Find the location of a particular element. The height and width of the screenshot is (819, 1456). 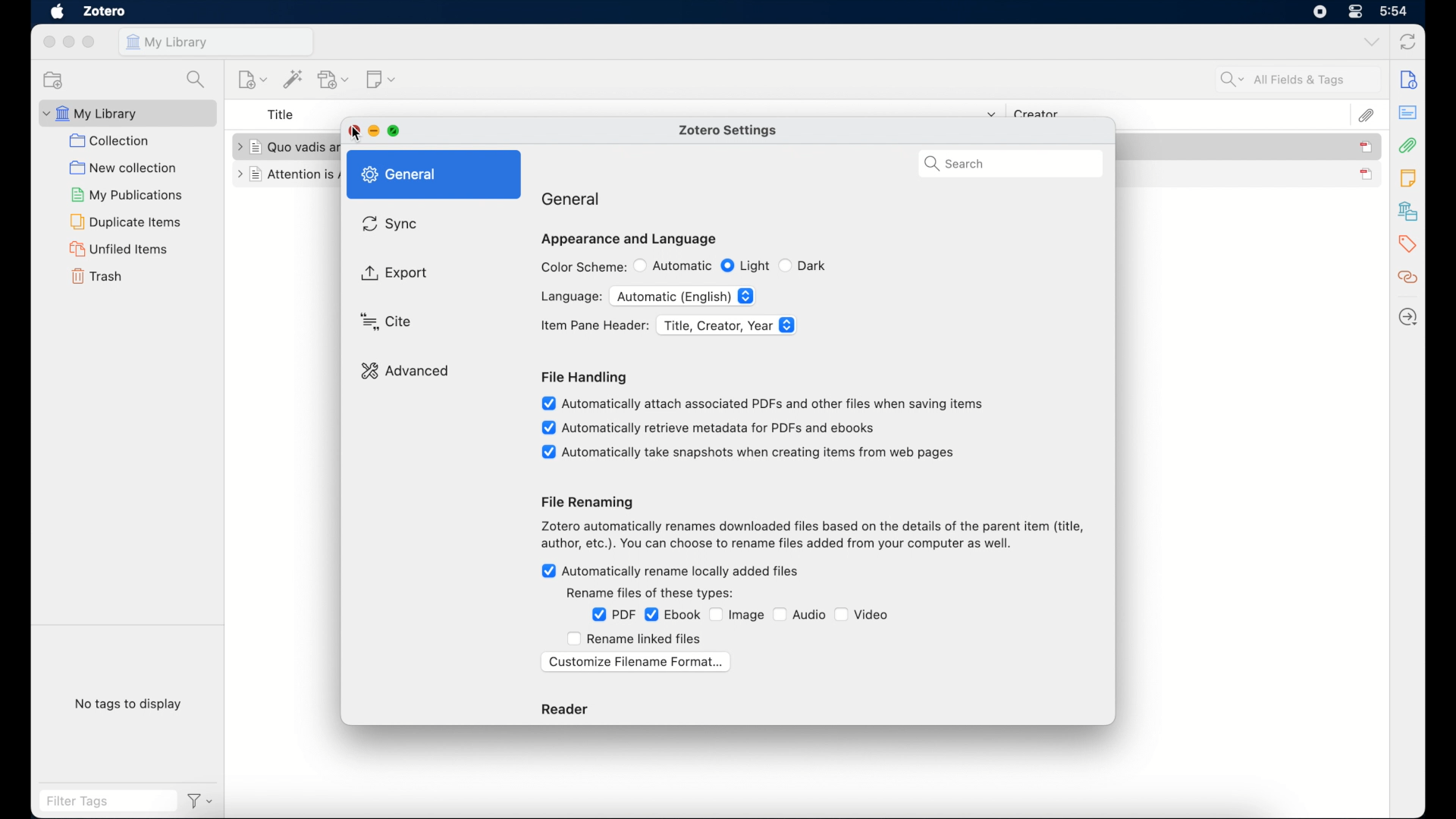

time is located at coordinates (1393, 11).